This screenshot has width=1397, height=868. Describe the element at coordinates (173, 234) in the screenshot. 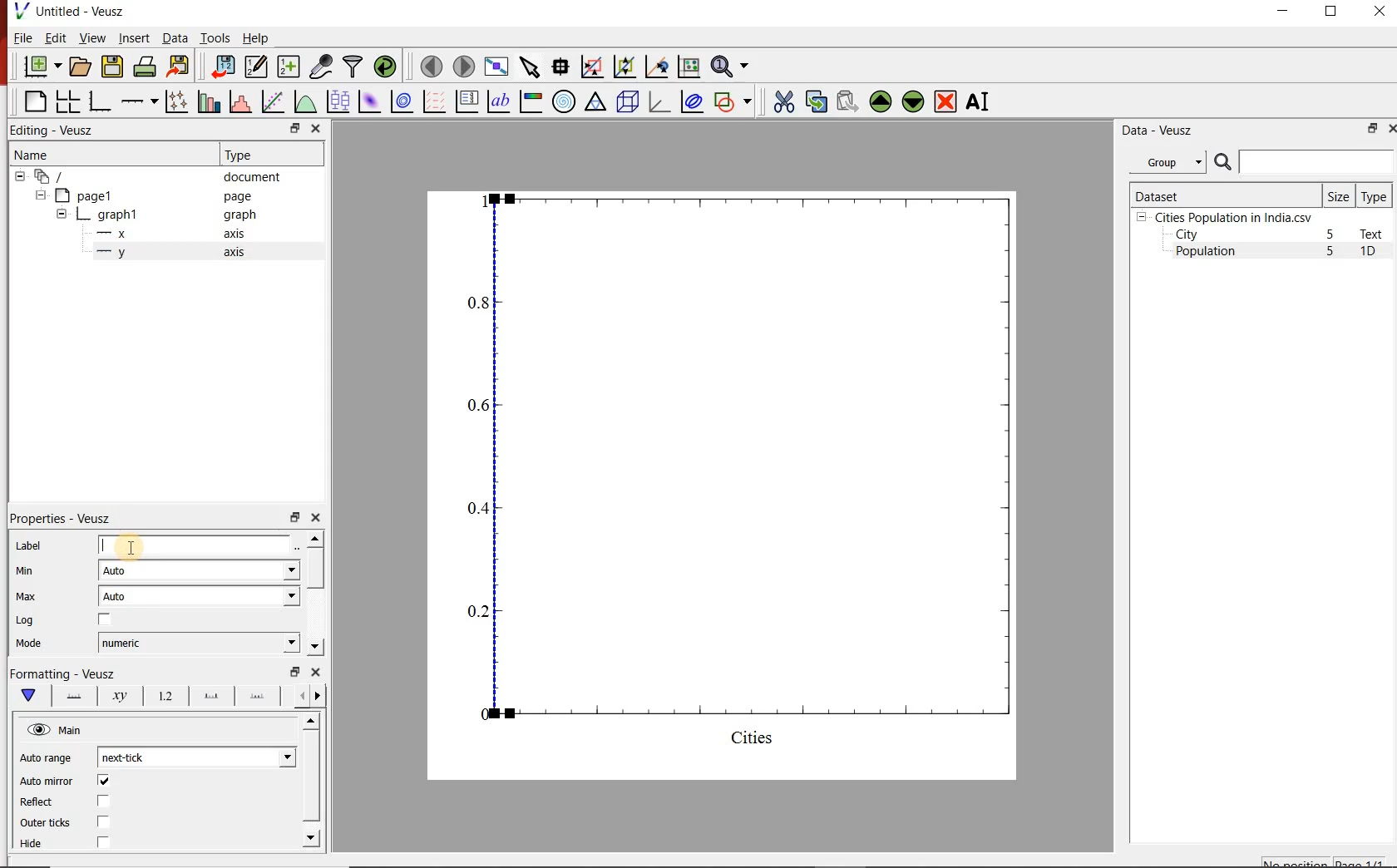

I see `x axis` at that location.